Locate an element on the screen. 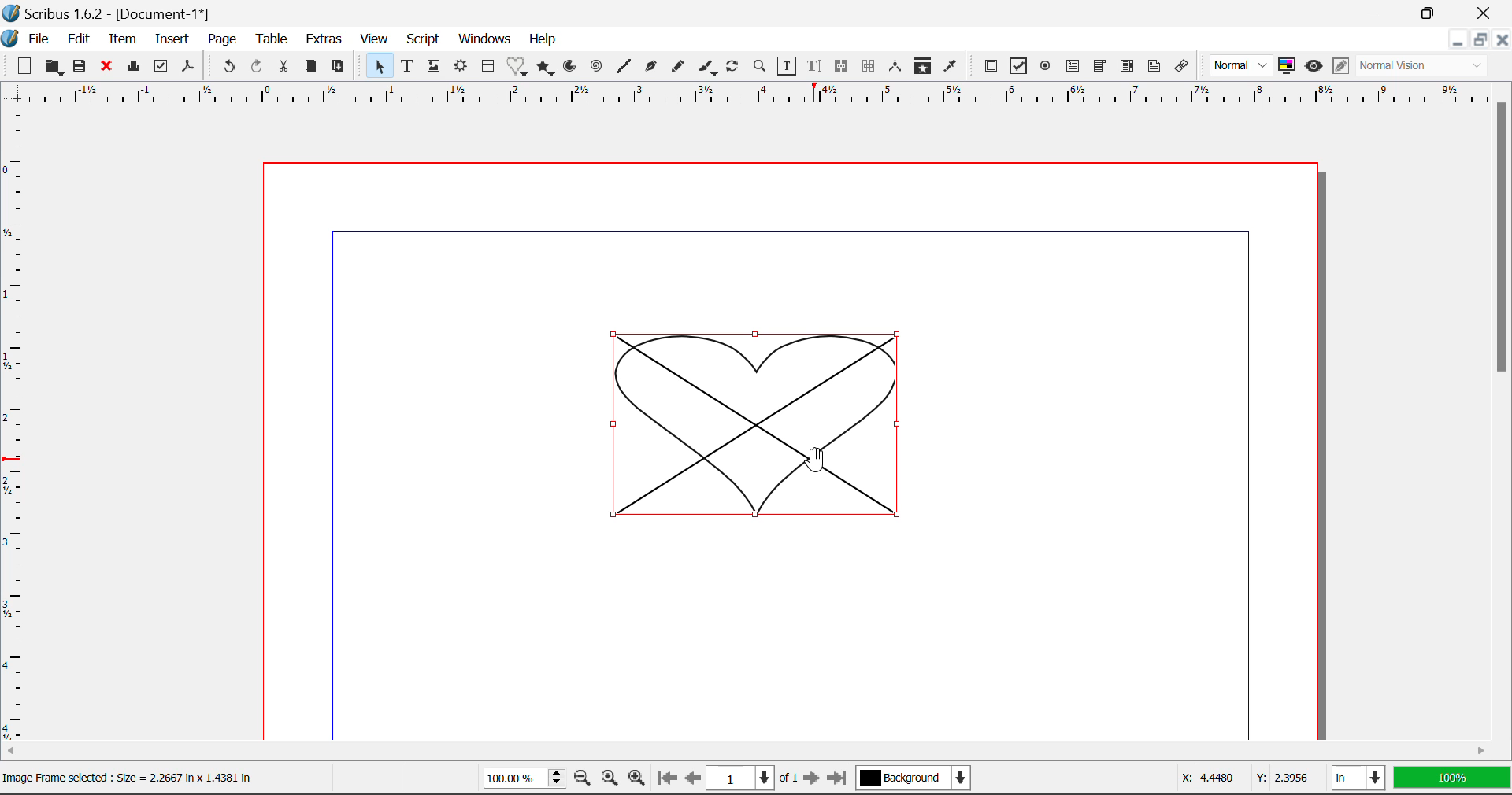 The height and width of the screenshot is (795, 1512). Zoom is located at coordinates (762, 68).